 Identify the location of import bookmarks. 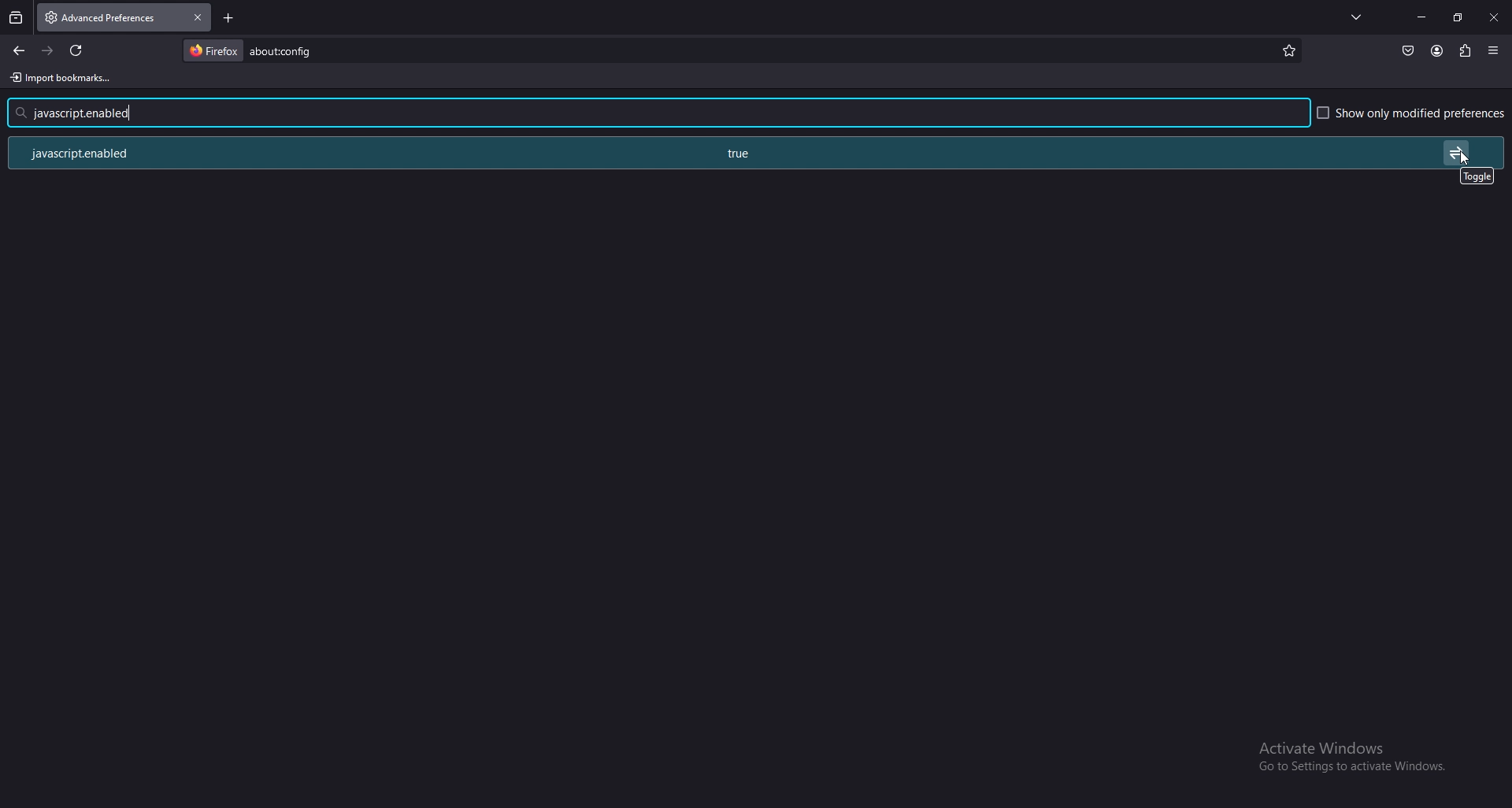
(65, 78).